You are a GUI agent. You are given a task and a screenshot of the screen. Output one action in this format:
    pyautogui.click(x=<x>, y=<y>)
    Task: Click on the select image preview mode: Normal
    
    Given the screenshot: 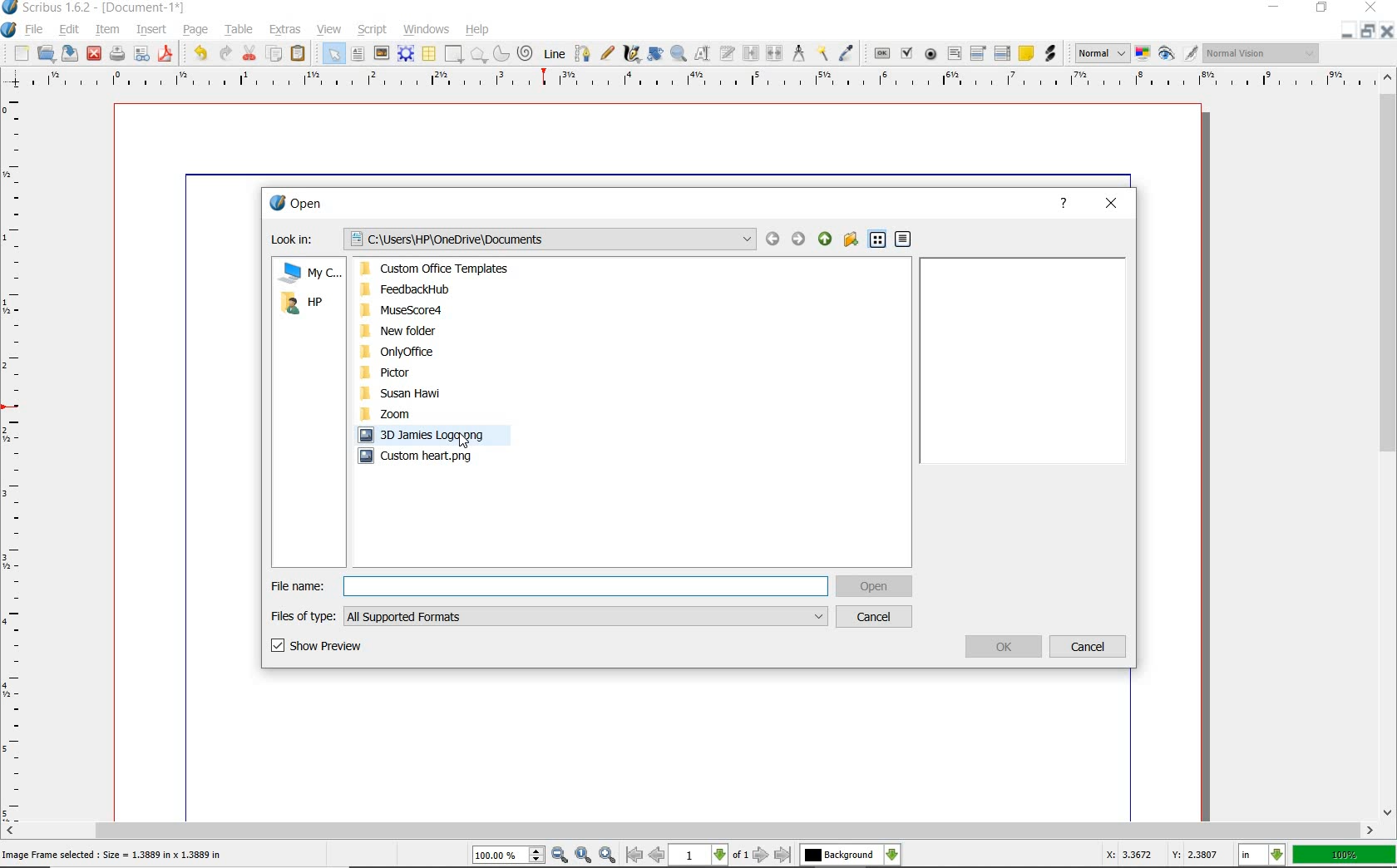 What is the action you would take?
    pyautogui.click(x=1101, y=53)
    